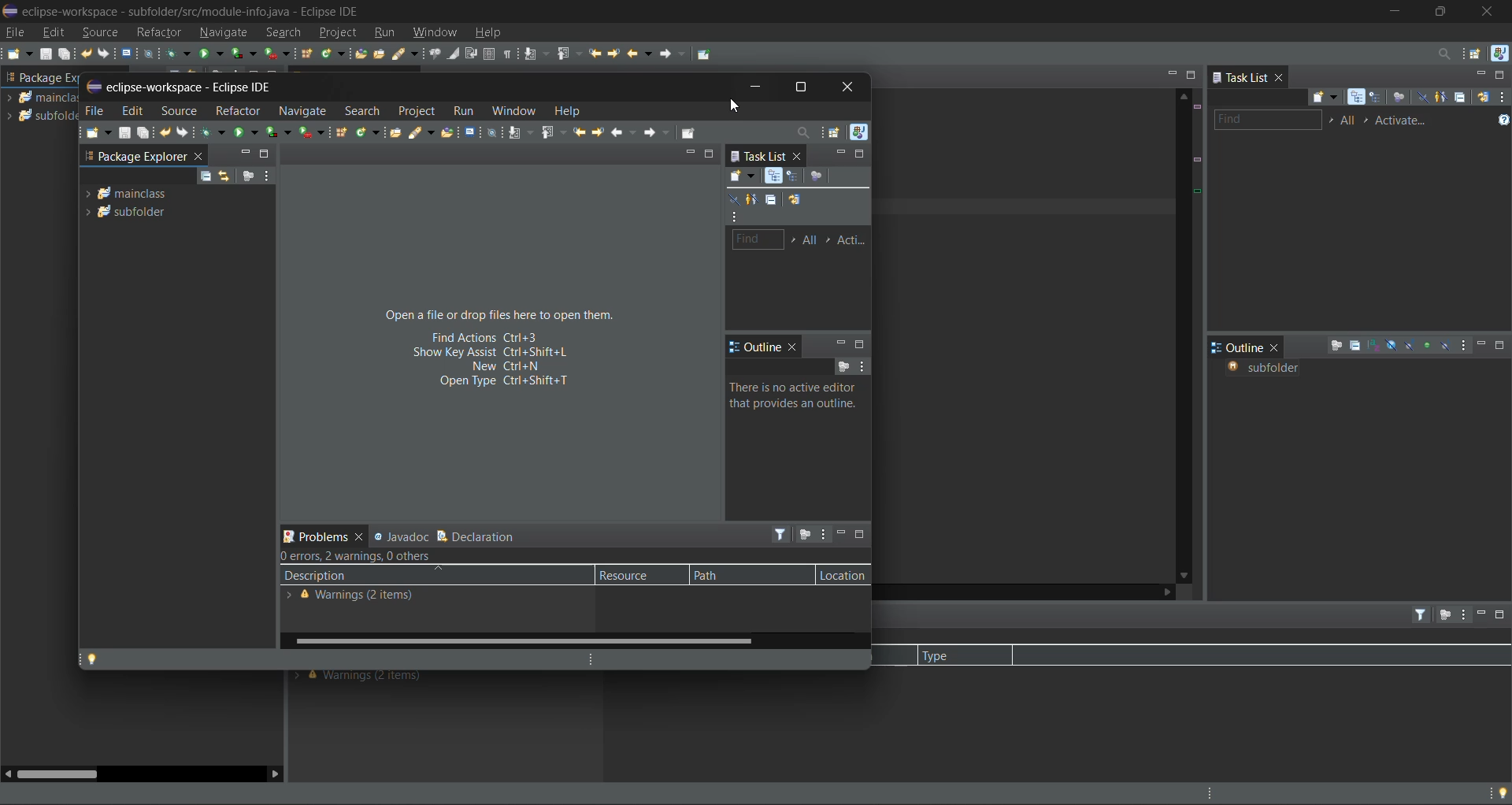  Describe the element at coordinates (840, 365) in the screenshot. I see `focus on active task` at that location.